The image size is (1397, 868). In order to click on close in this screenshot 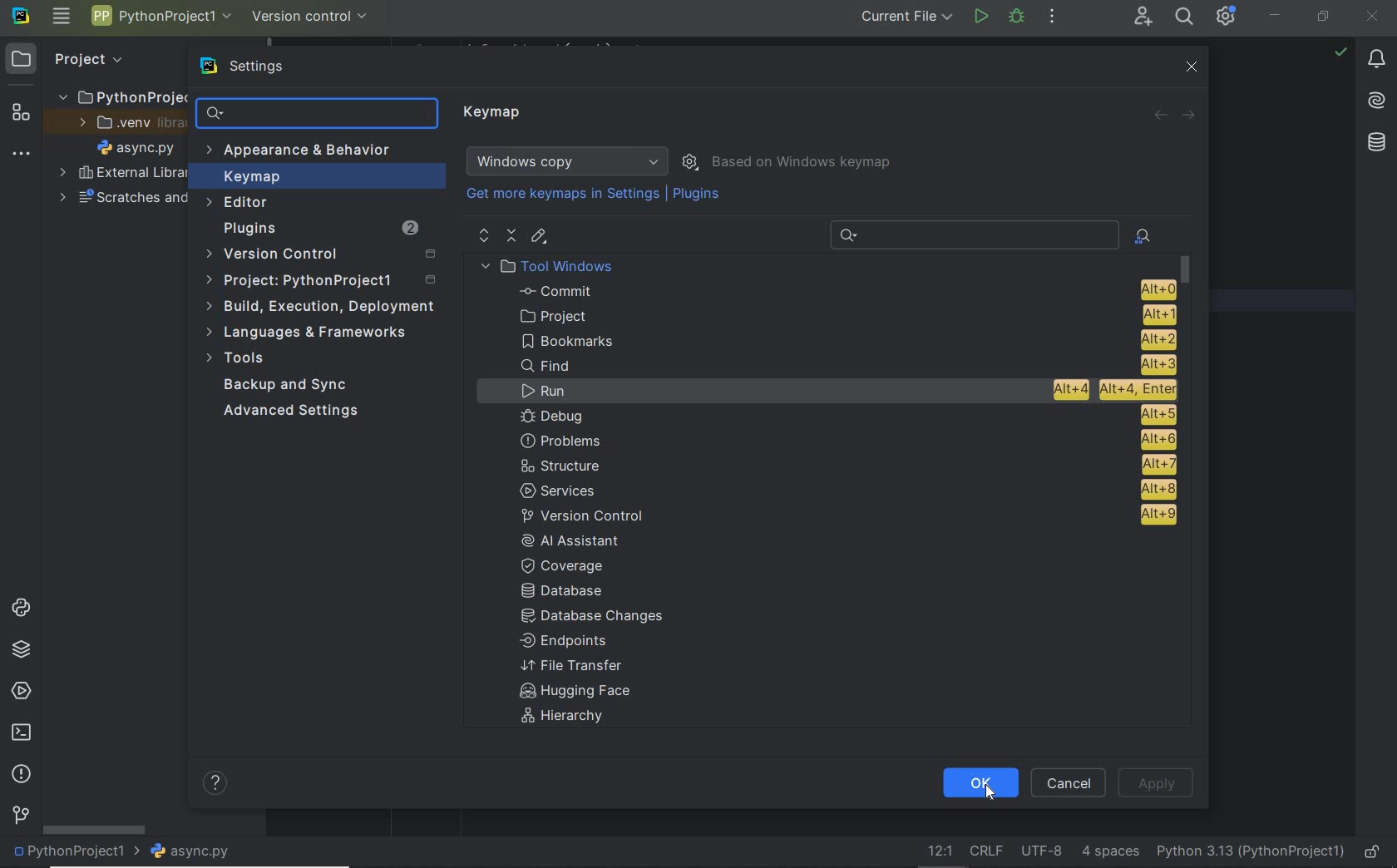, I will do `click(1374, 15)`.